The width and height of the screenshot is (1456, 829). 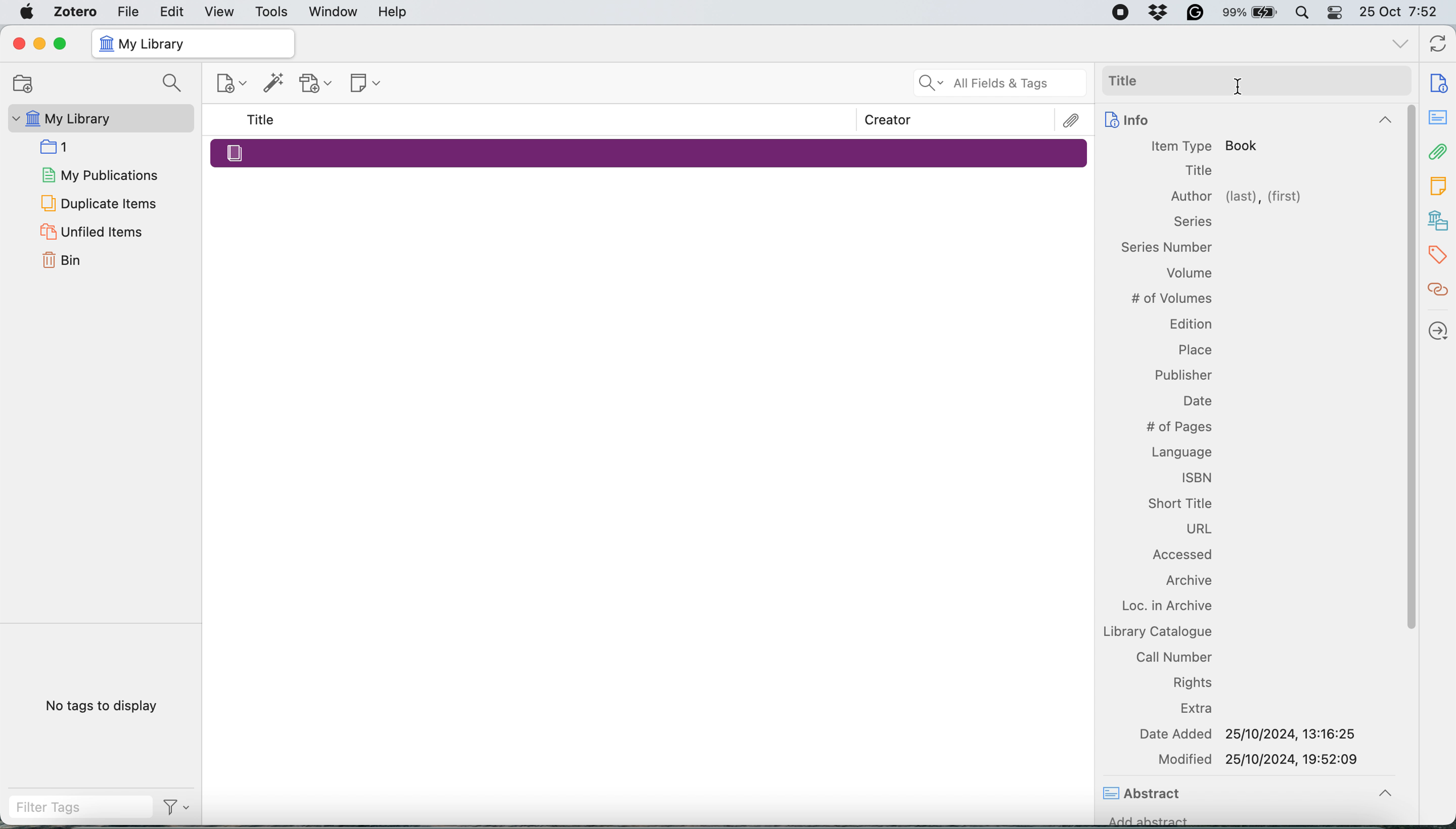 What do you see at coordinates (1178, 427) in the screenshot?
I see `# of Pages` at bounding box center [1178, 427].